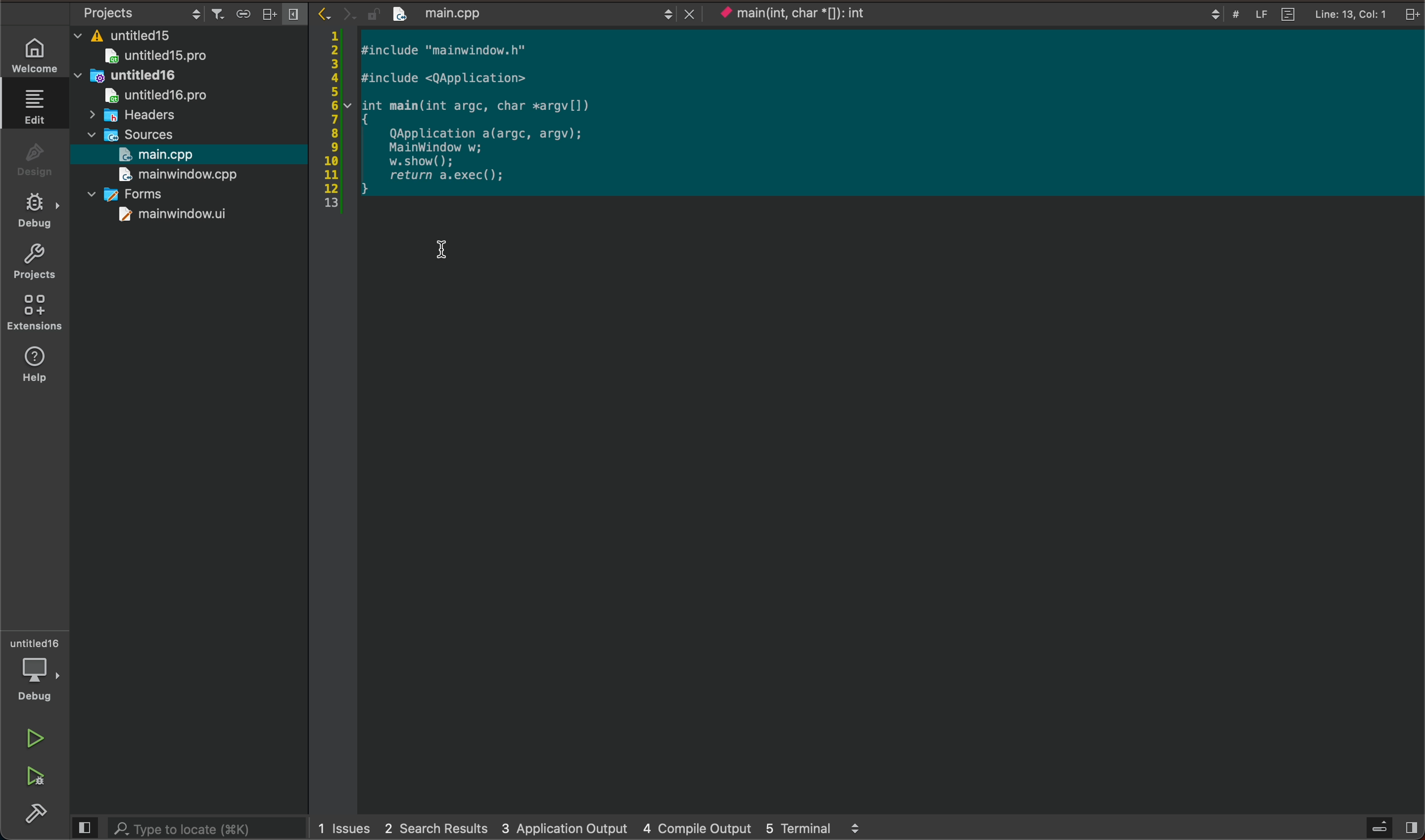 The height and width of the screenshot is (840, 1425). I want to click on help, so click(38, 364).